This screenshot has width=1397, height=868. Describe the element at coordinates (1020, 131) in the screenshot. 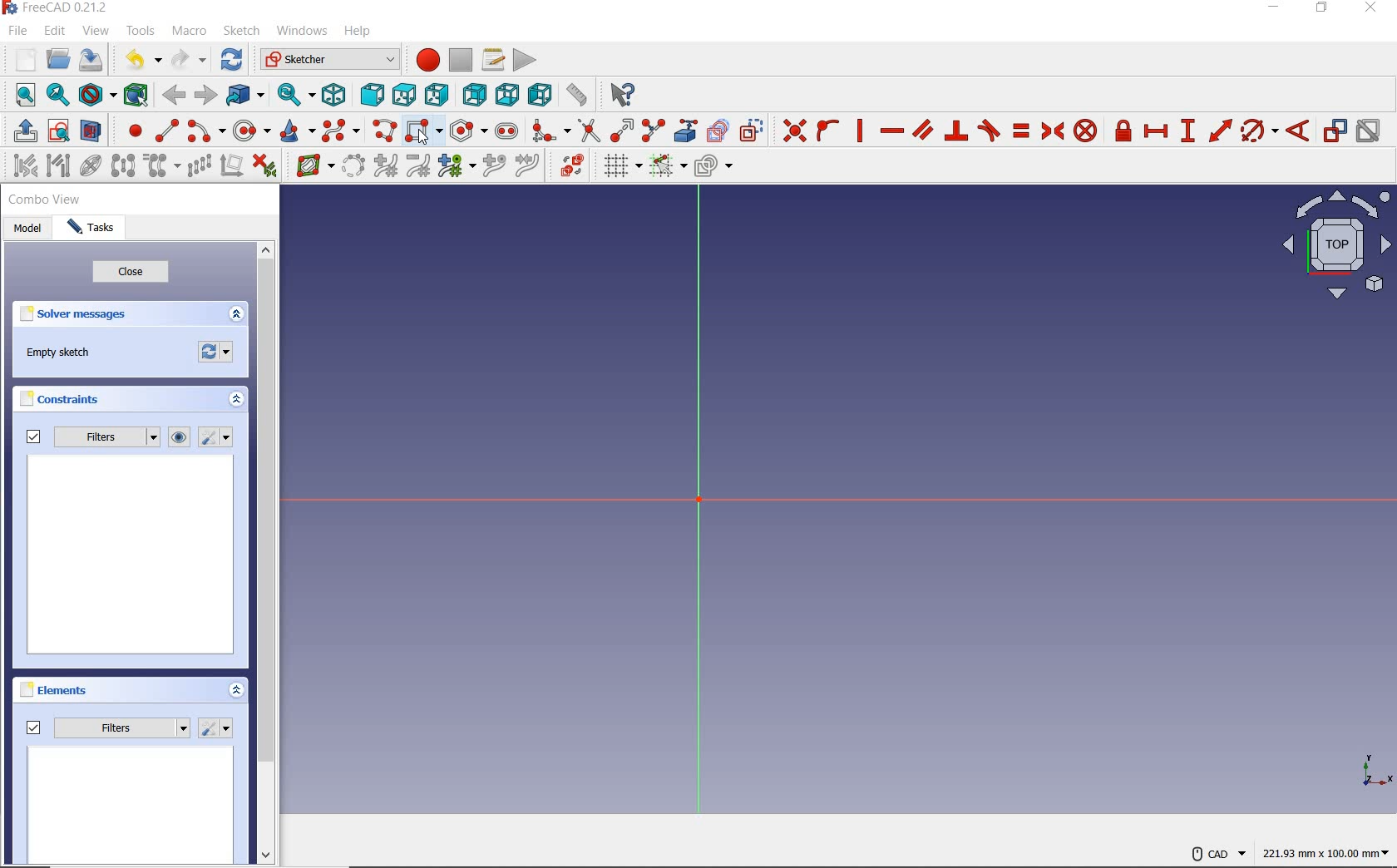

I see `constrain equal` at that location.